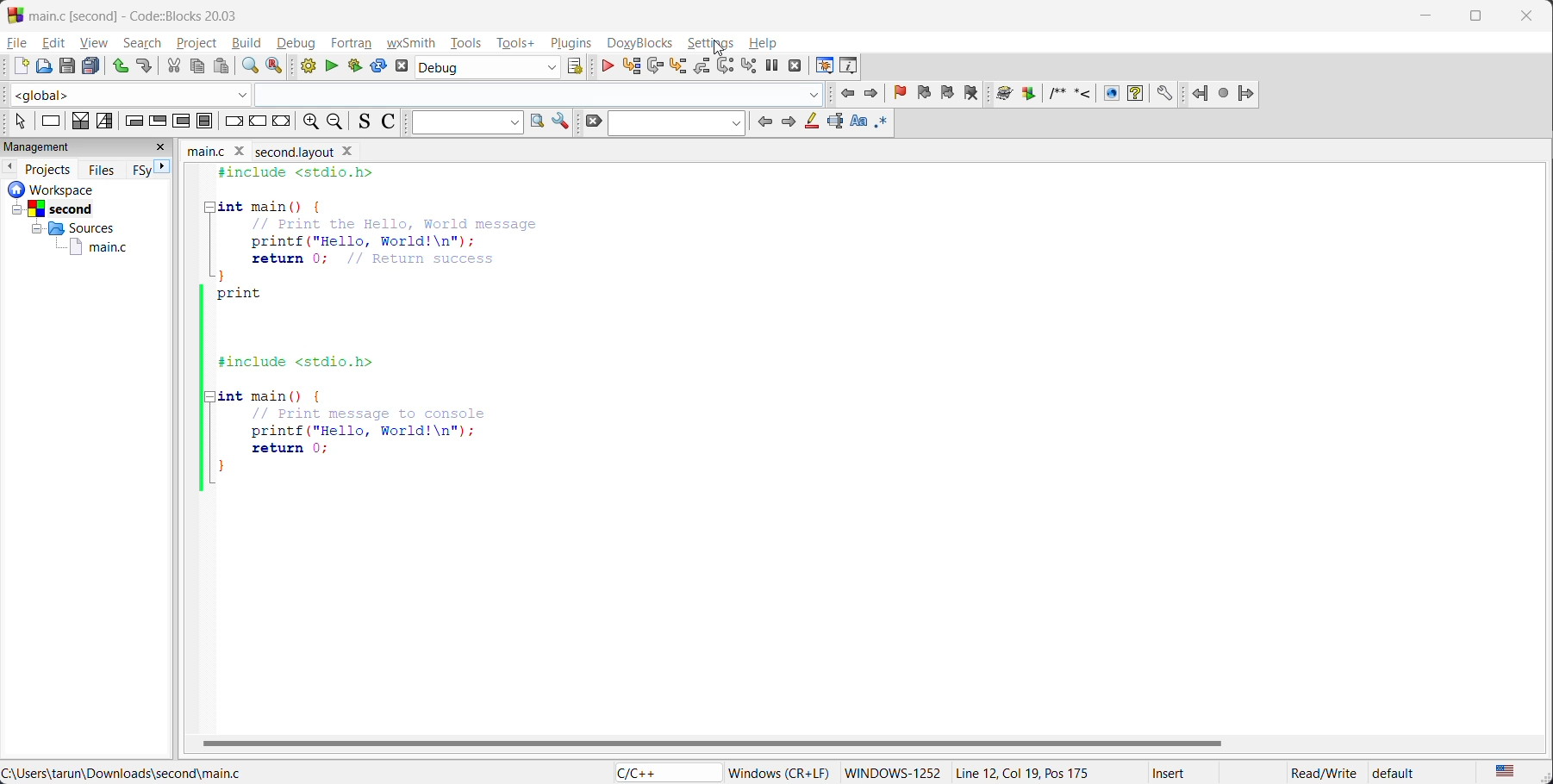  Describe the element at coordinates (770, 65) in the screenshot. I see `break debugger` at that location.